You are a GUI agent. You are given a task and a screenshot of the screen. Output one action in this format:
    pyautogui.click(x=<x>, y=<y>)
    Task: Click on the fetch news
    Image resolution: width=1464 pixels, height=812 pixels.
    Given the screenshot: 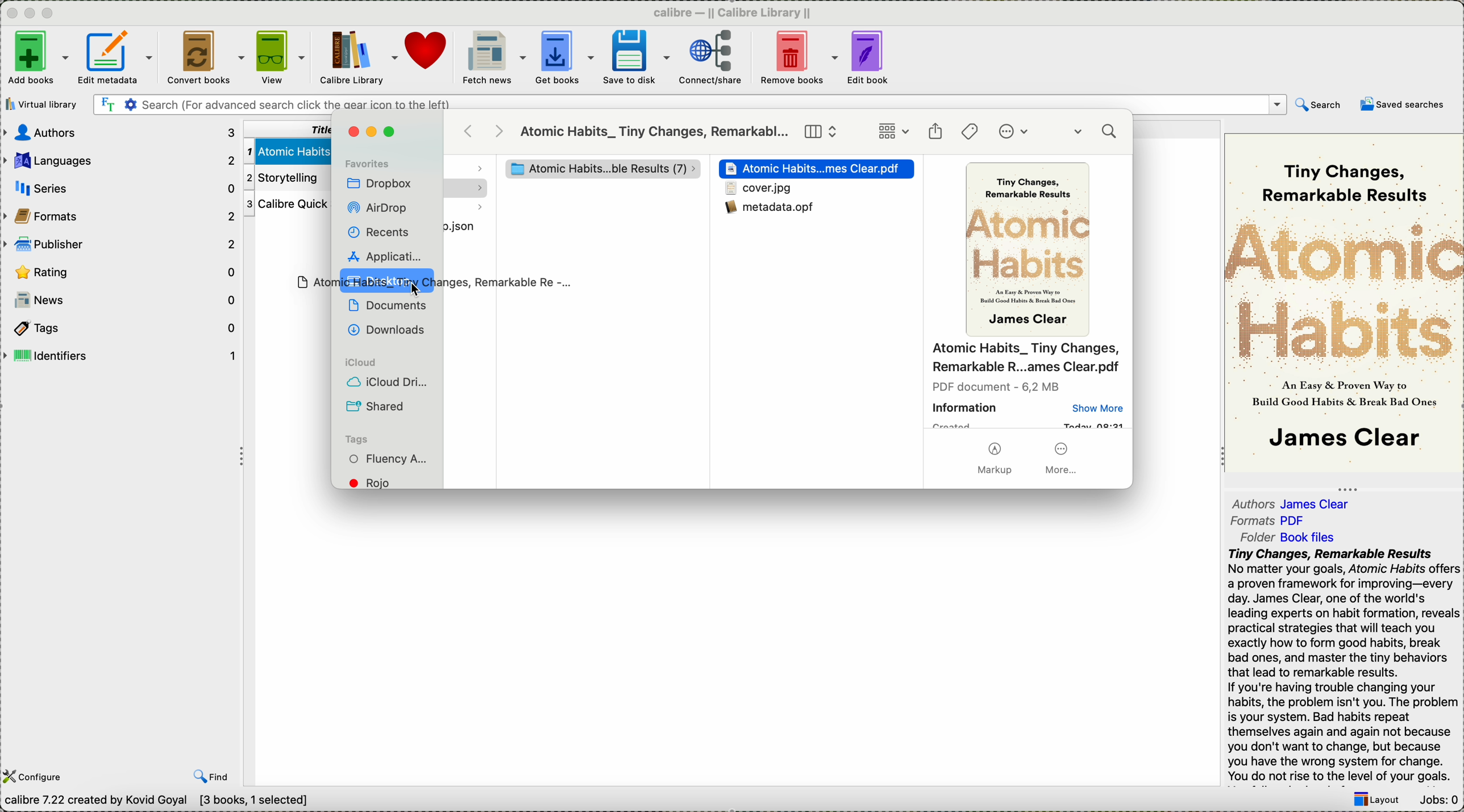 What is the action you would take?
    pyautogui.click(x=492, y=58)
    